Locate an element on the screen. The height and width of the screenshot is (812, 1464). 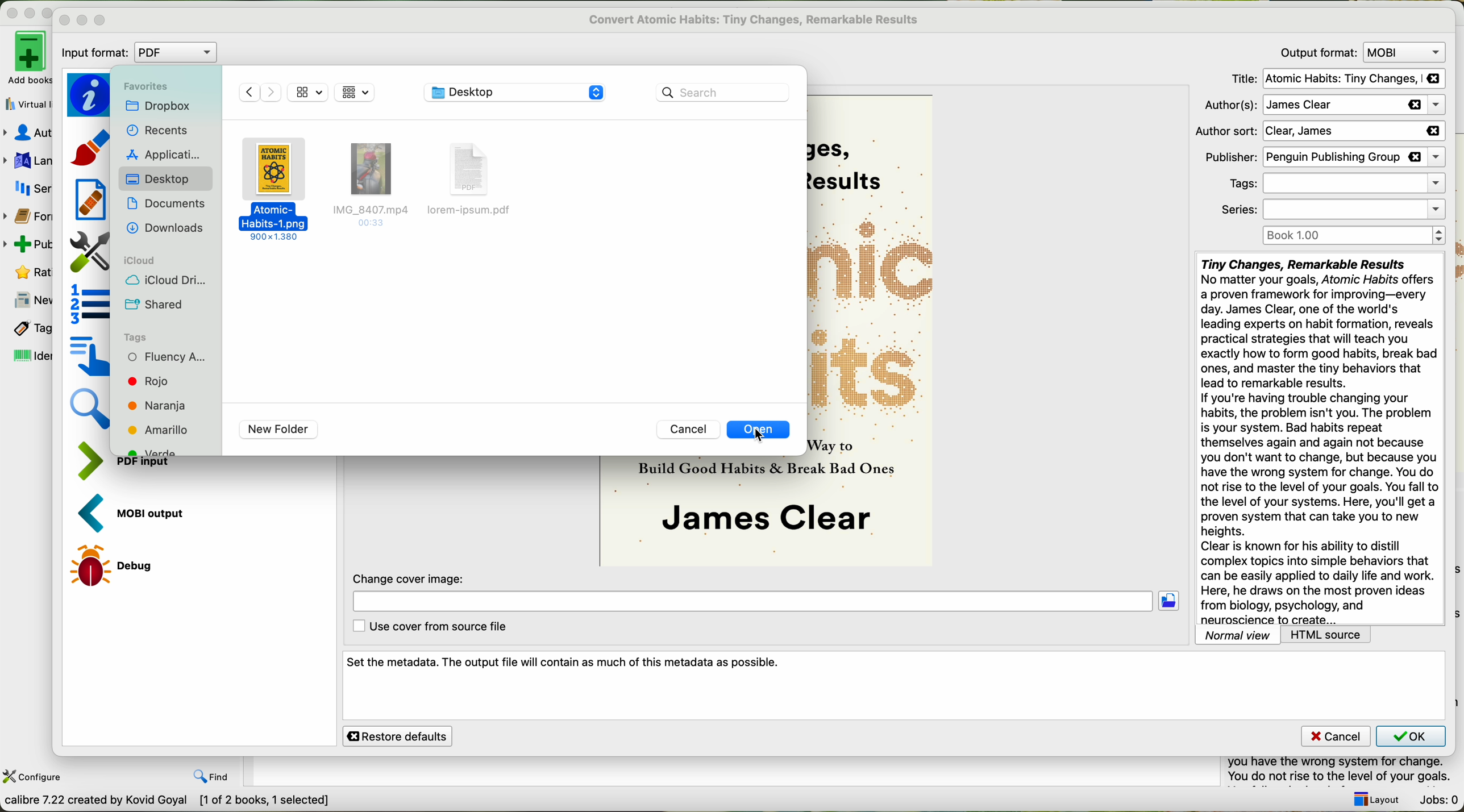
input format: PDF is located at coordinates (142, 53).